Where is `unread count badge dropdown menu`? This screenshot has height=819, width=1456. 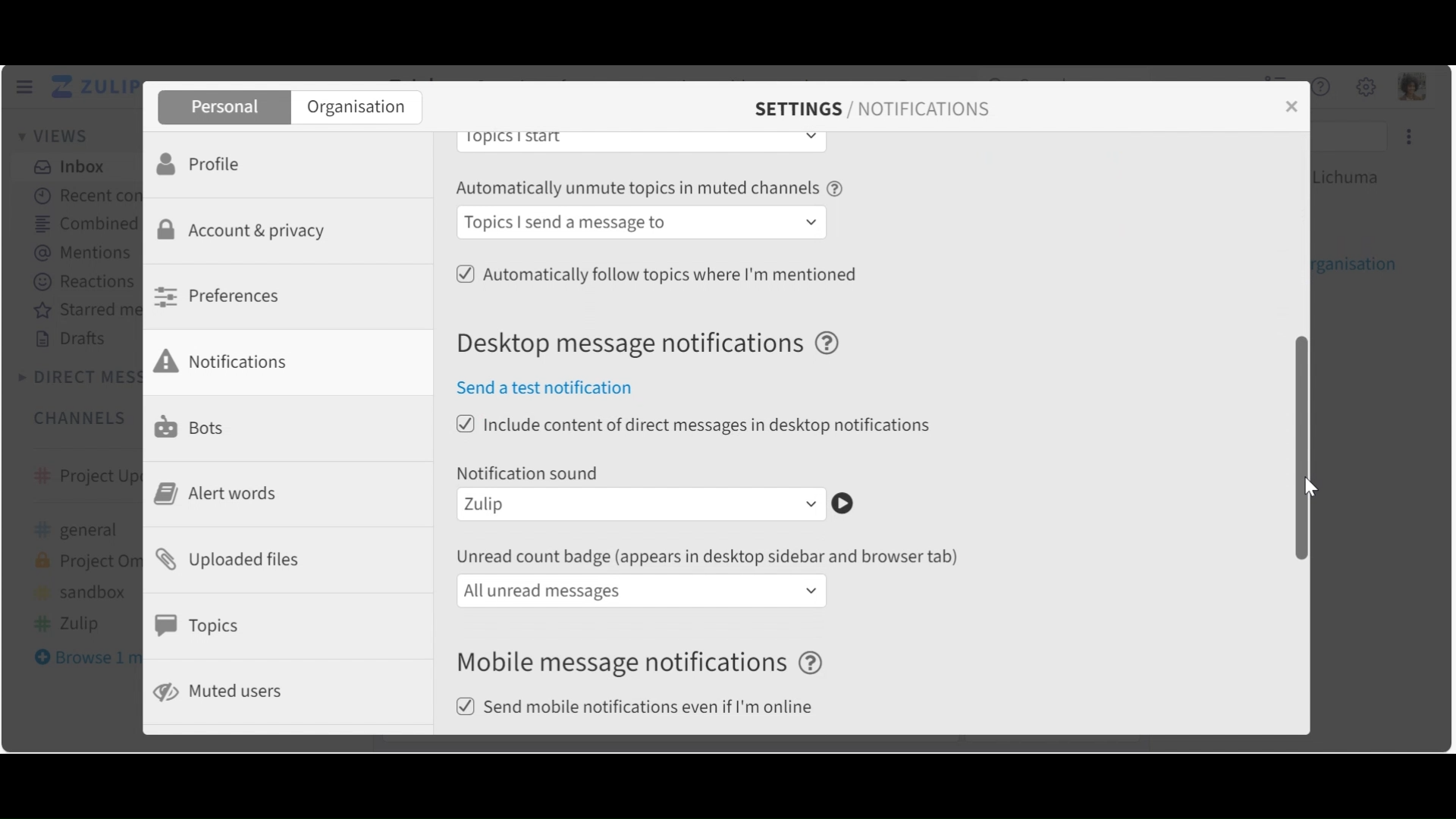
unread count badge dropdown menu is located at coordinates (642, 591).